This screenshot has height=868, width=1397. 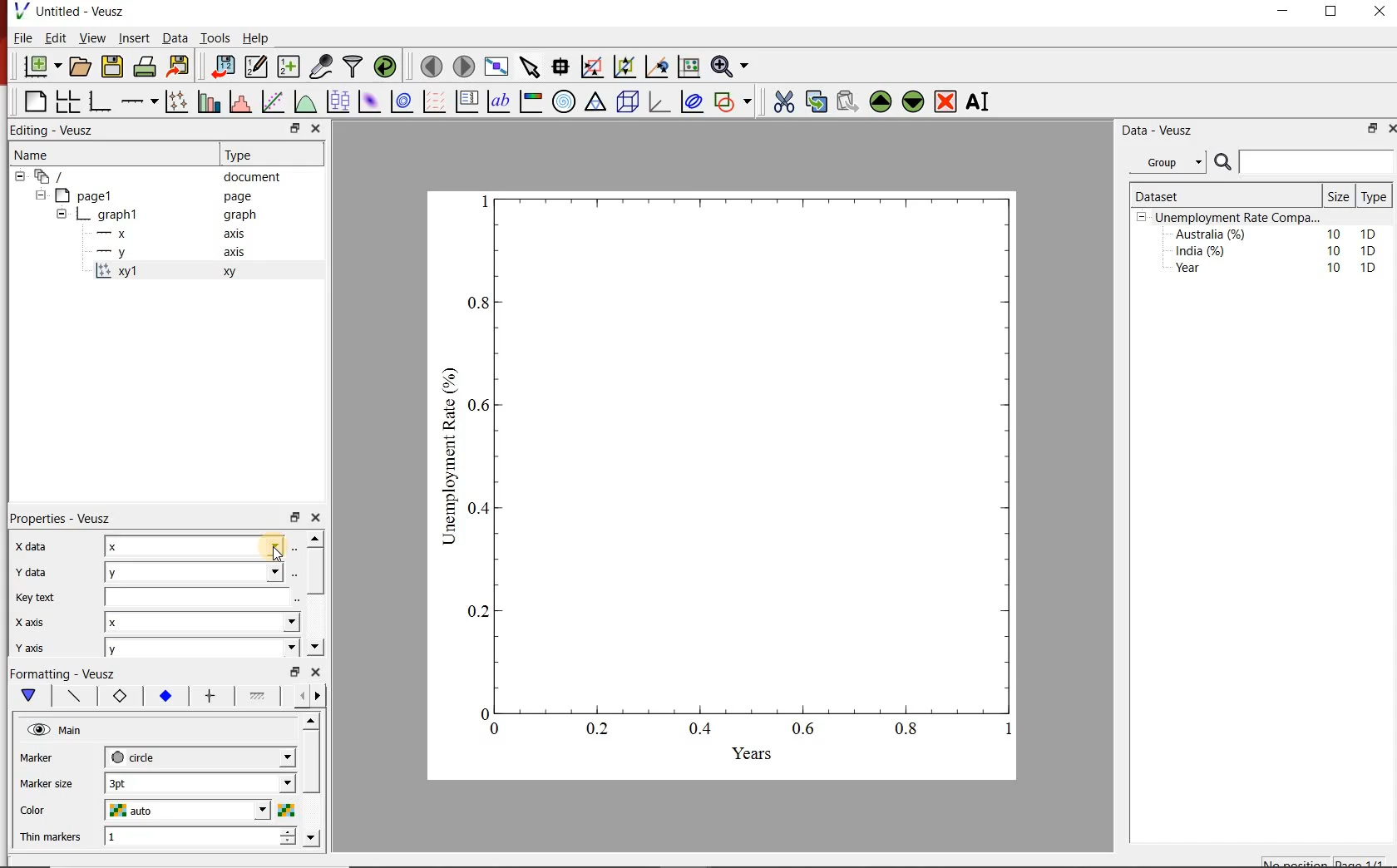 I want to click on plot box plots, so click(x=338, y=101).